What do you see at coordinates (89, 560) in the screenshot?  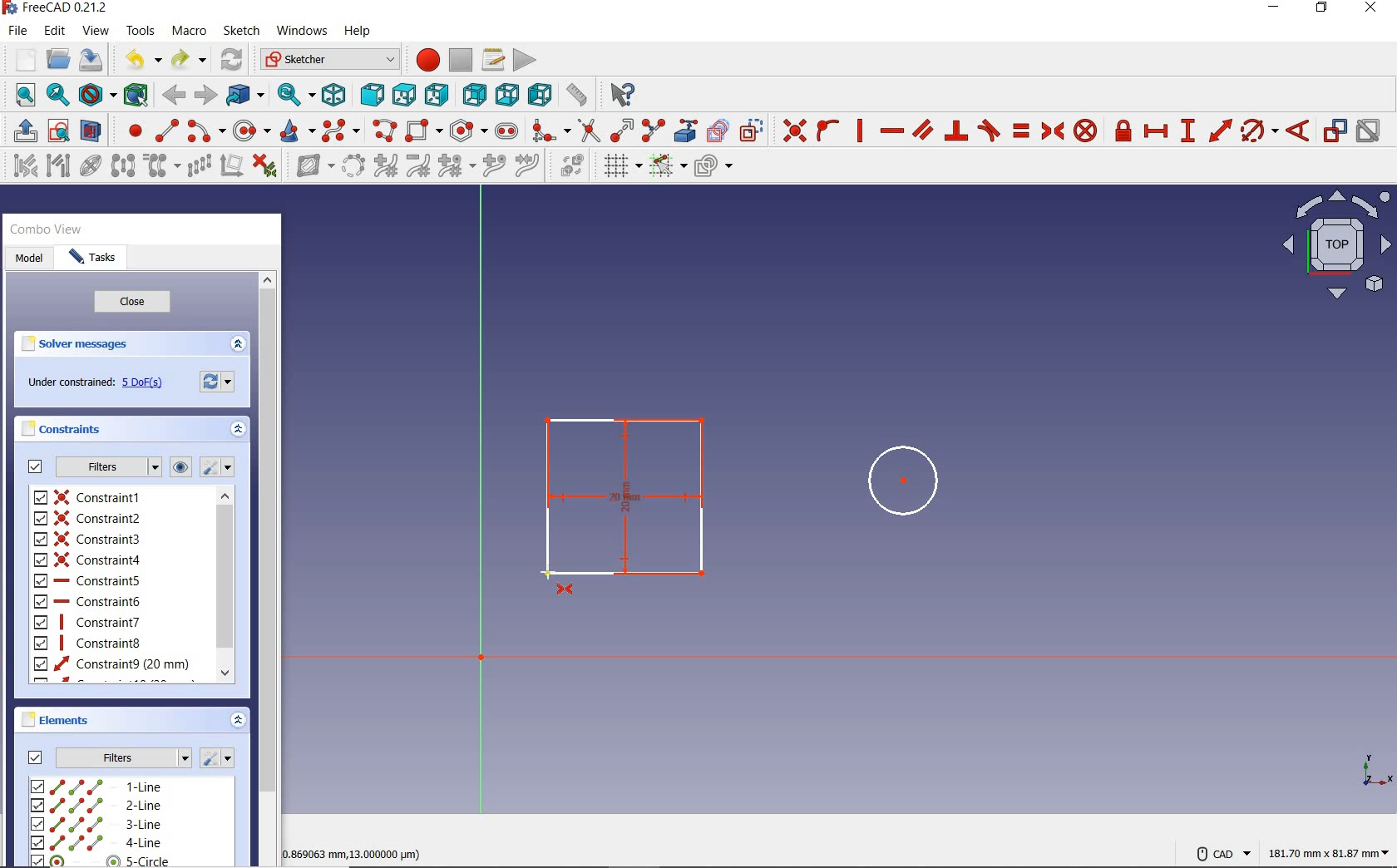 I see `constraint4` at bounding box center [89, 560].